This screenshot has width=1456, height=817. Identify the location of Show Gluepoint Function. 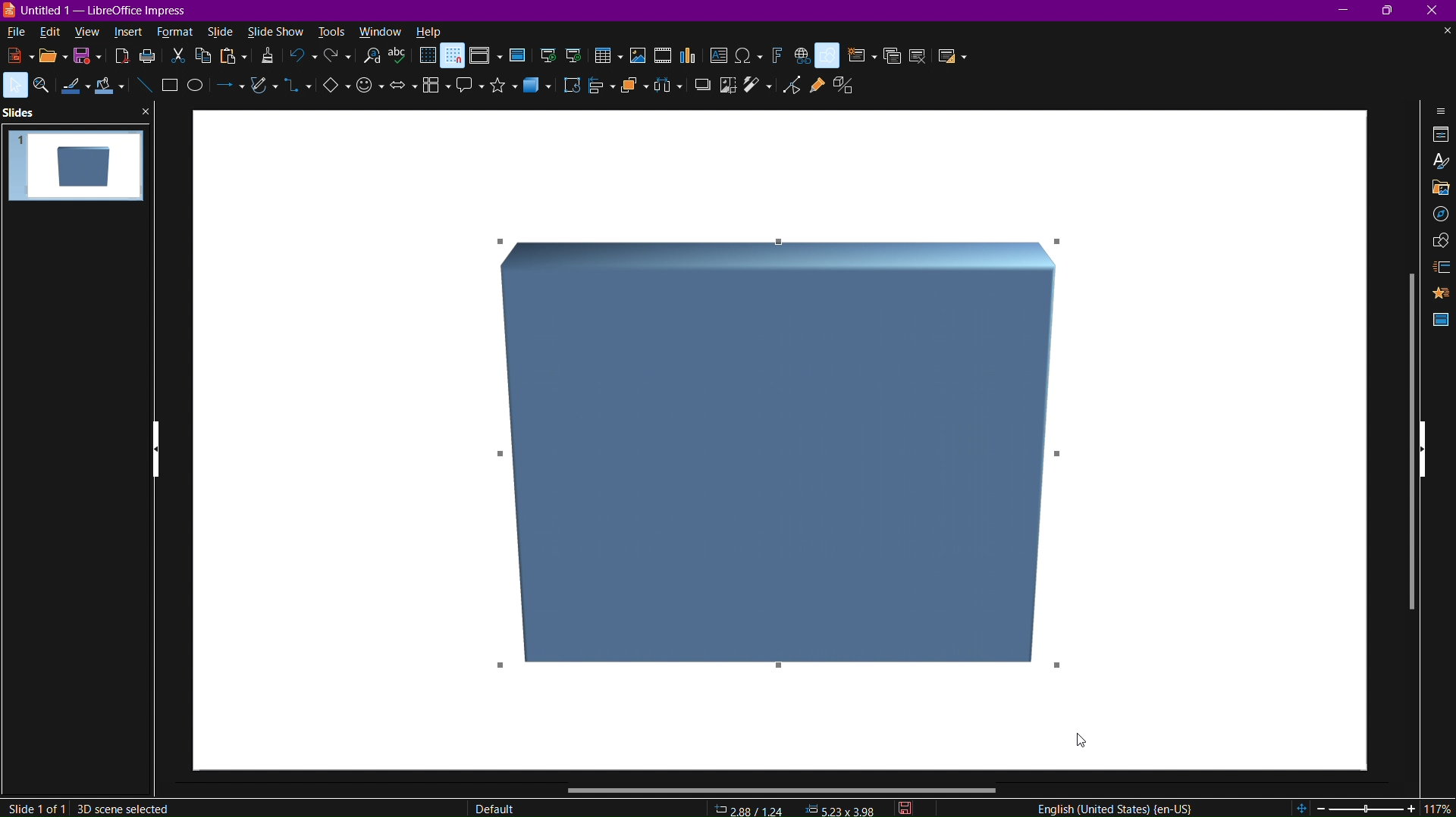
(817, 85).